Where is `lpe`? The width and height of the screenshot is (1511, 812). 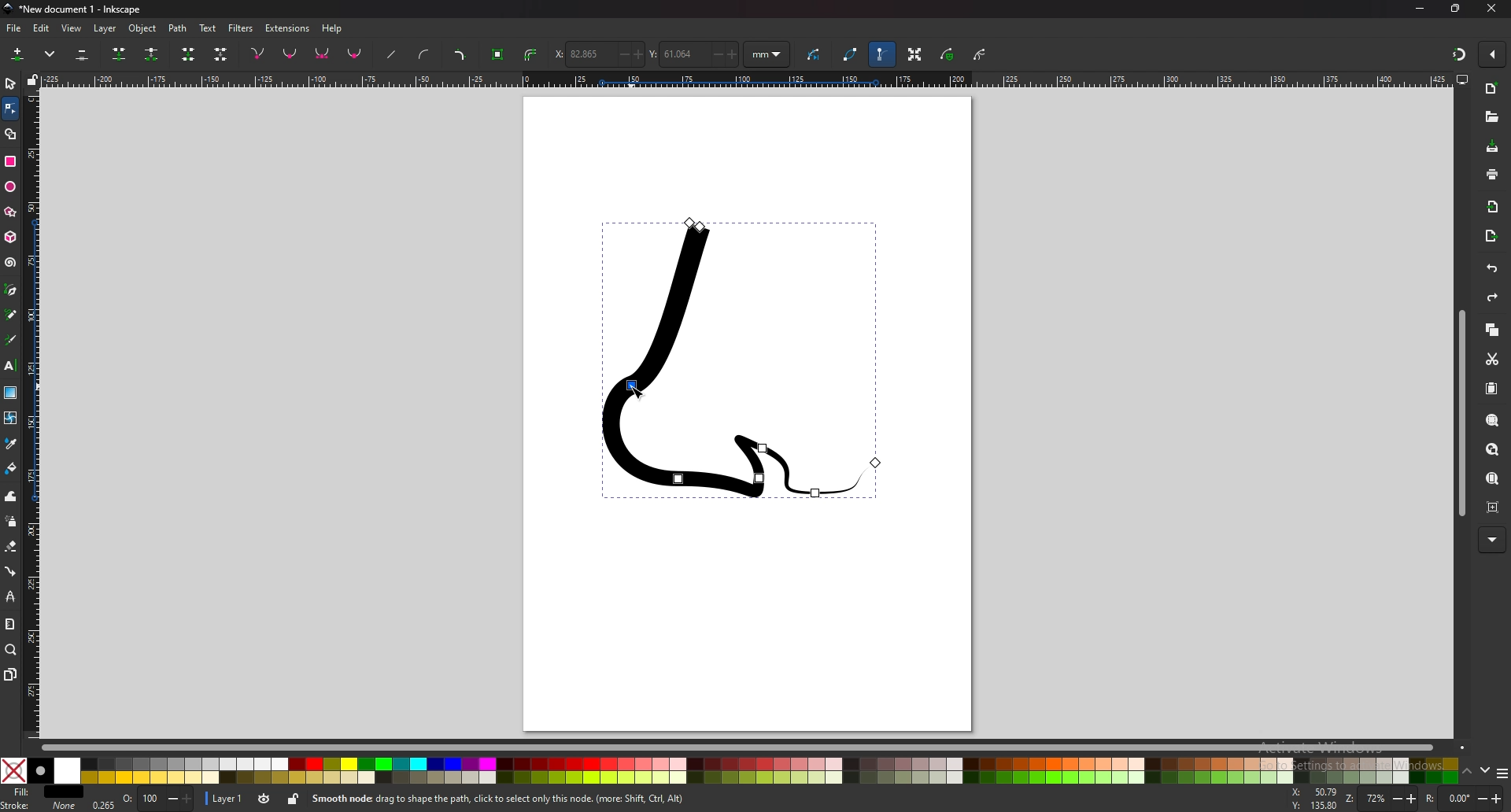
lpe is located at coordinates (10, 598).